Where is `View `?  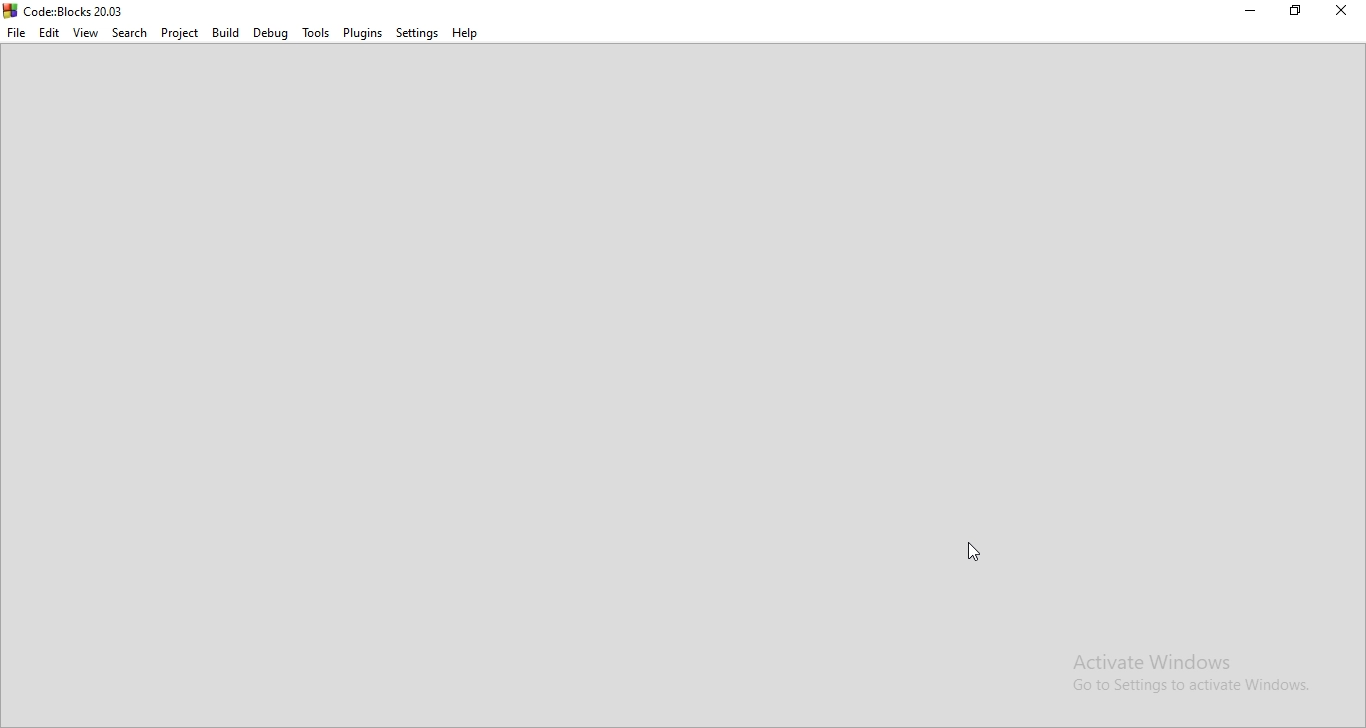 View  is located at coordinates (84, 33).